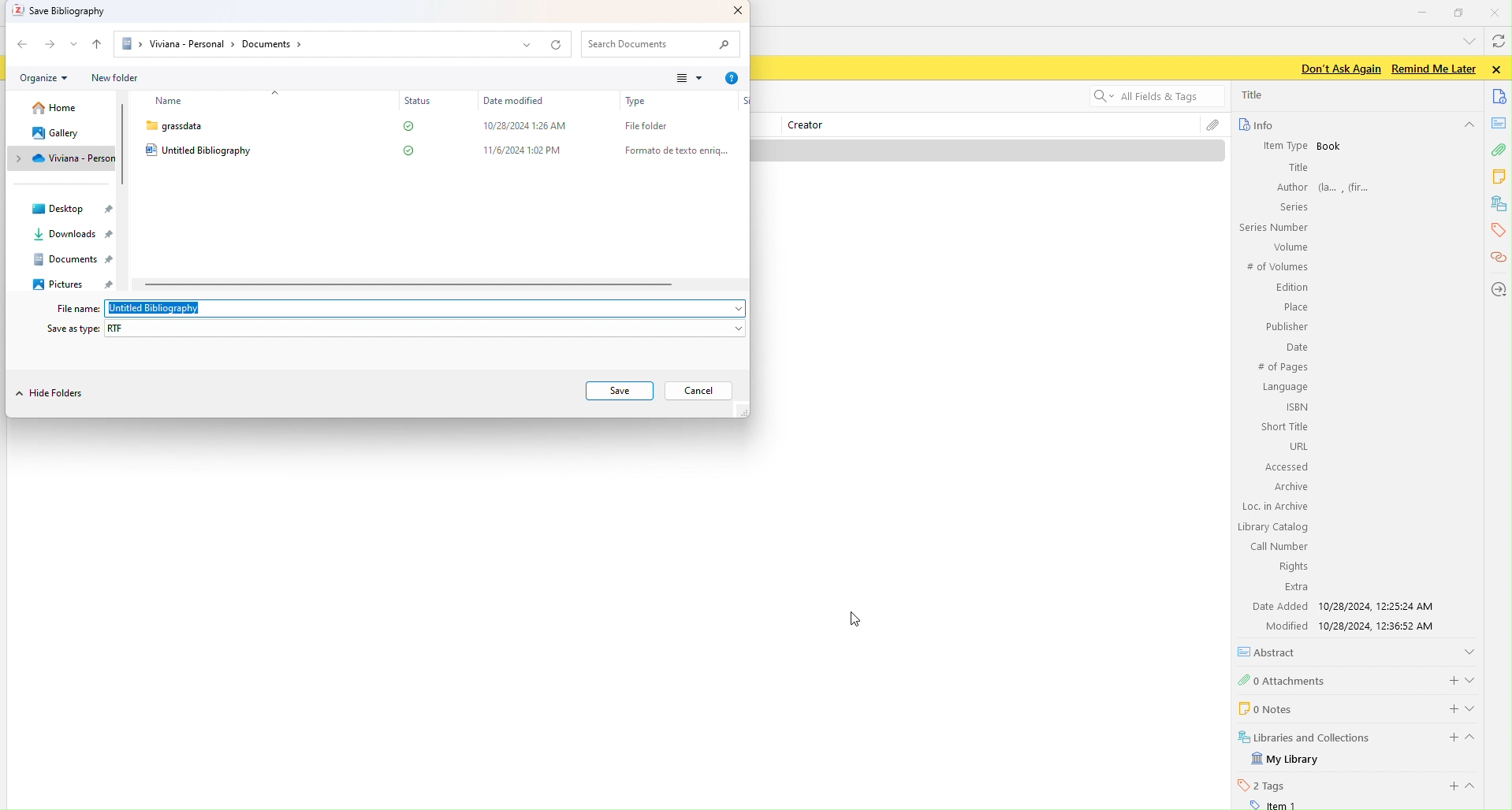  Describe the element at coordinates (732, 79) in the screenshot. I see `Help` at that location.